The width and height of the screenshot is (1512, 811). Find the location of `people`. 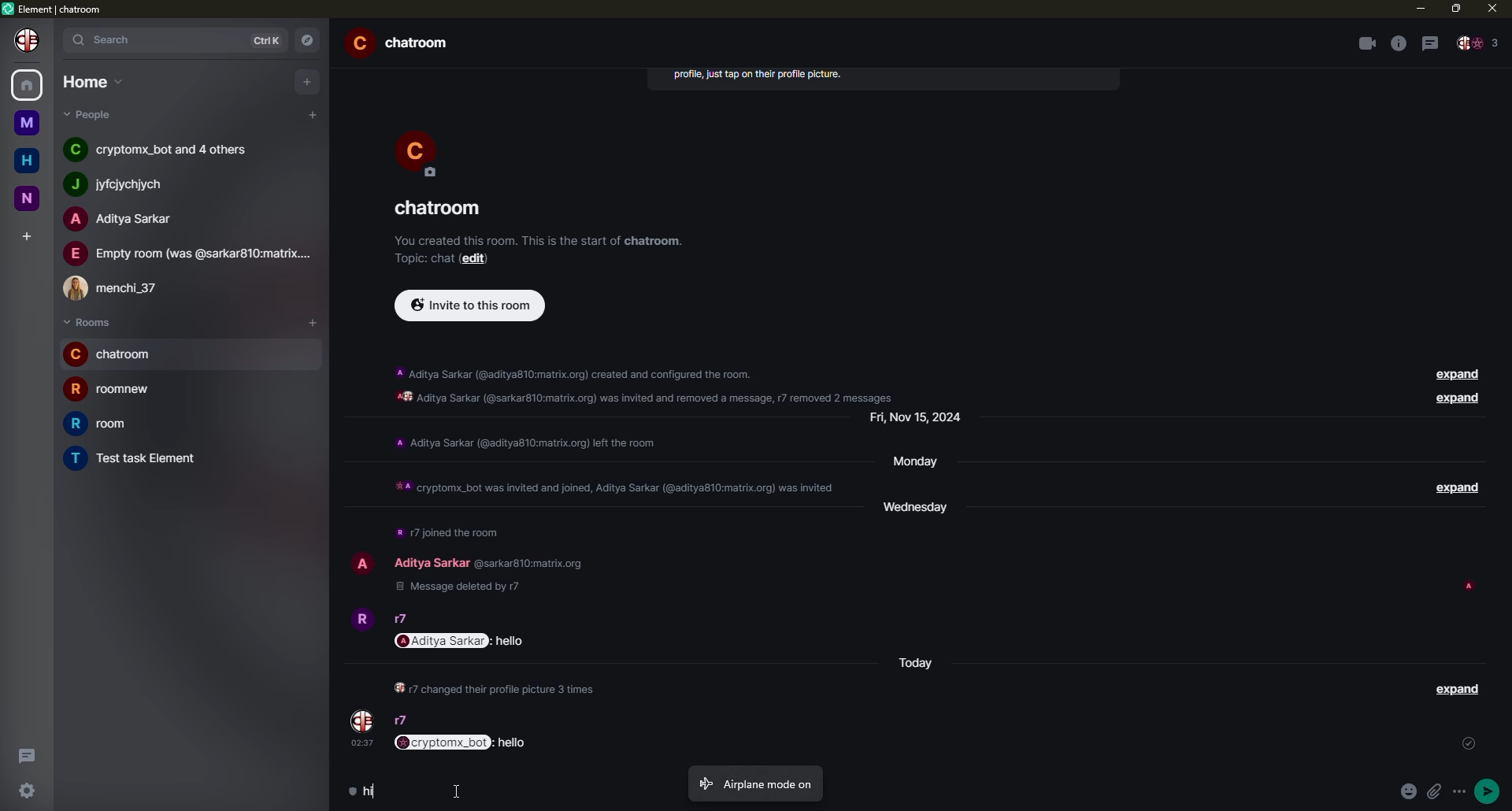

people is located at coordinates (91, 114).